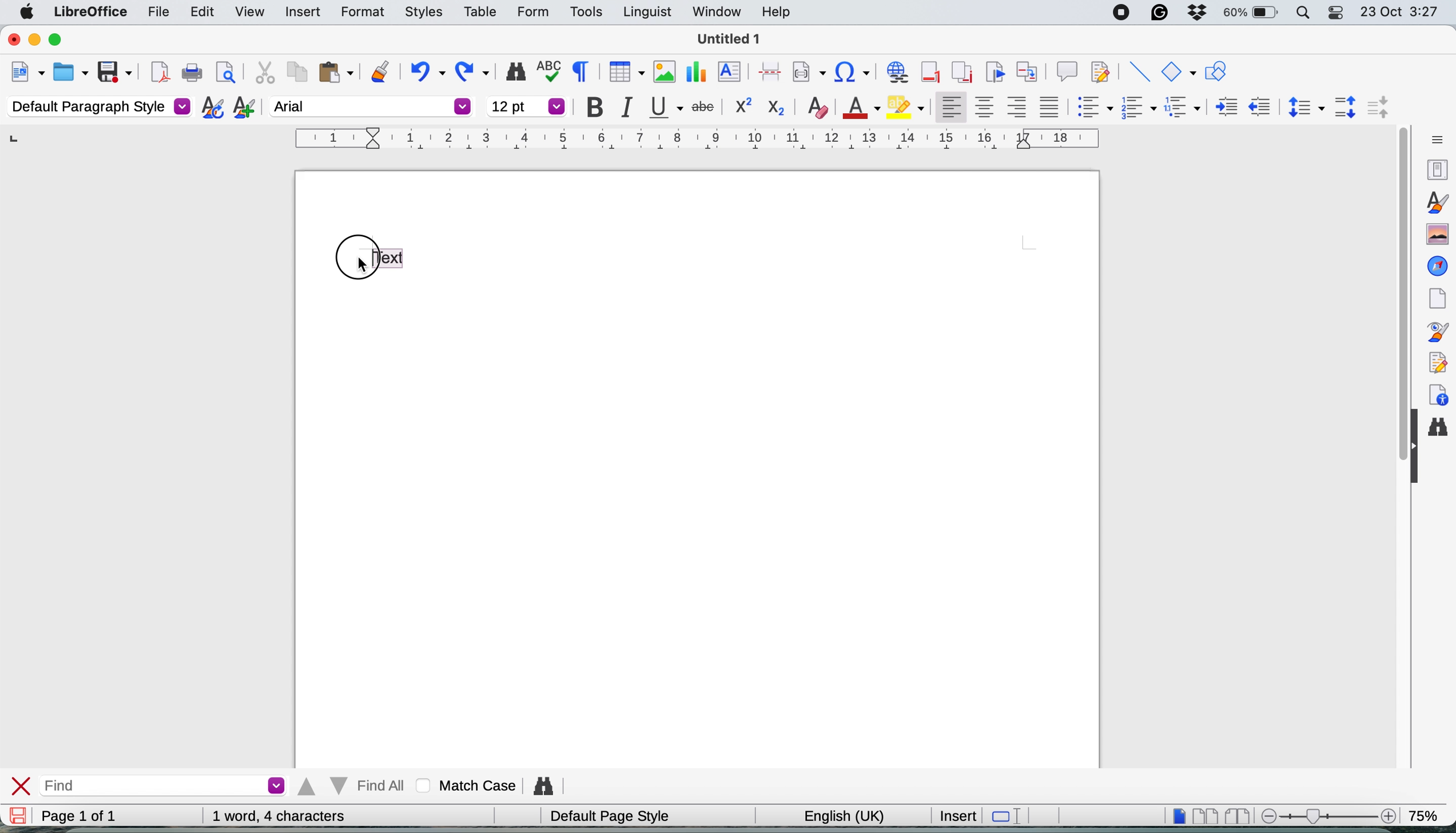 The image size is (1456, 833). Describe the element at coordinates (1435, 234) in the screenshot. I see `gallery` at that location.